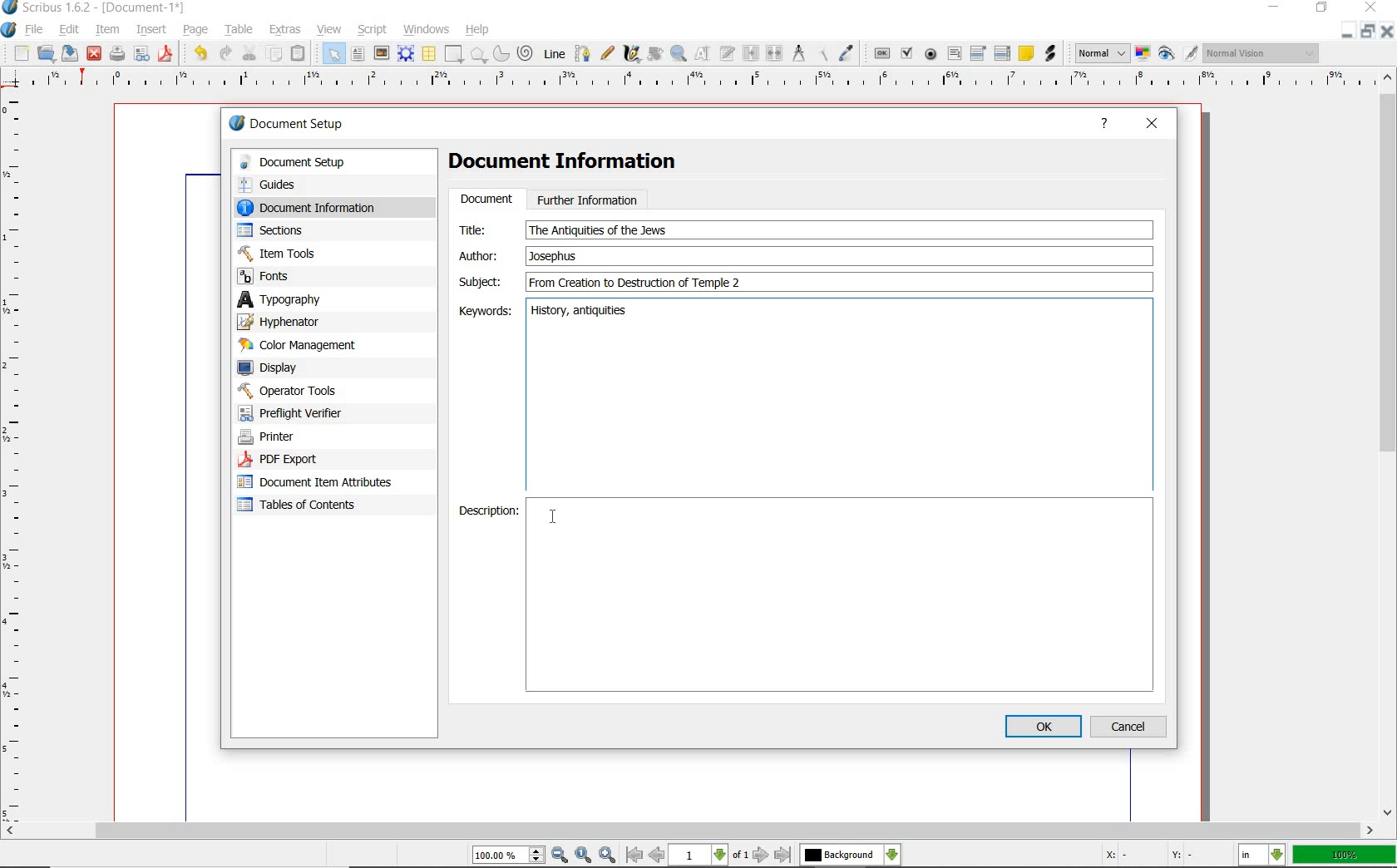  Describe the element at coordinates (1364, 30) in the screenshot. I see `restore` at that location.